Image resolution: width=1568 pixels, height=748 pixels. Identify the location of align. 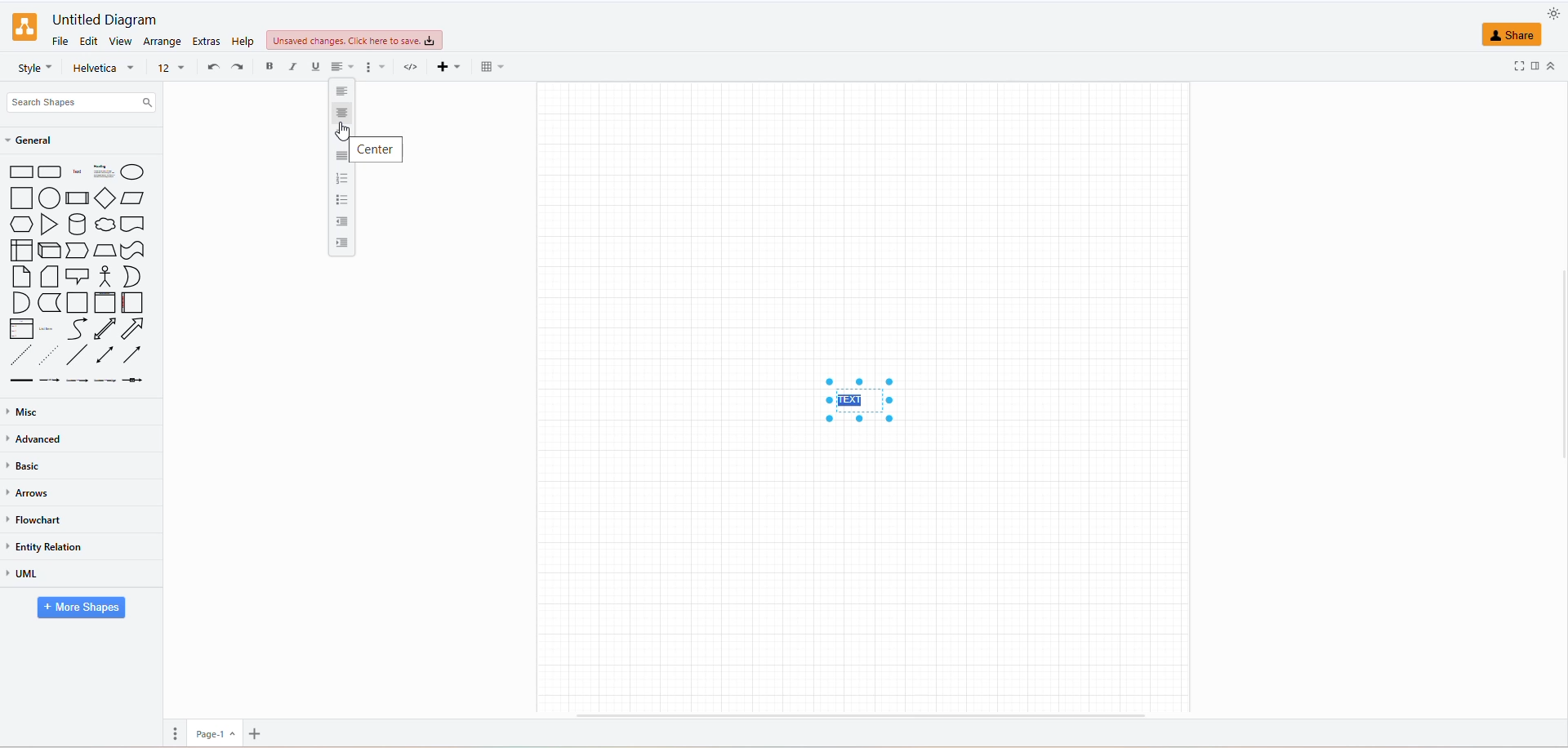
(343, 69).